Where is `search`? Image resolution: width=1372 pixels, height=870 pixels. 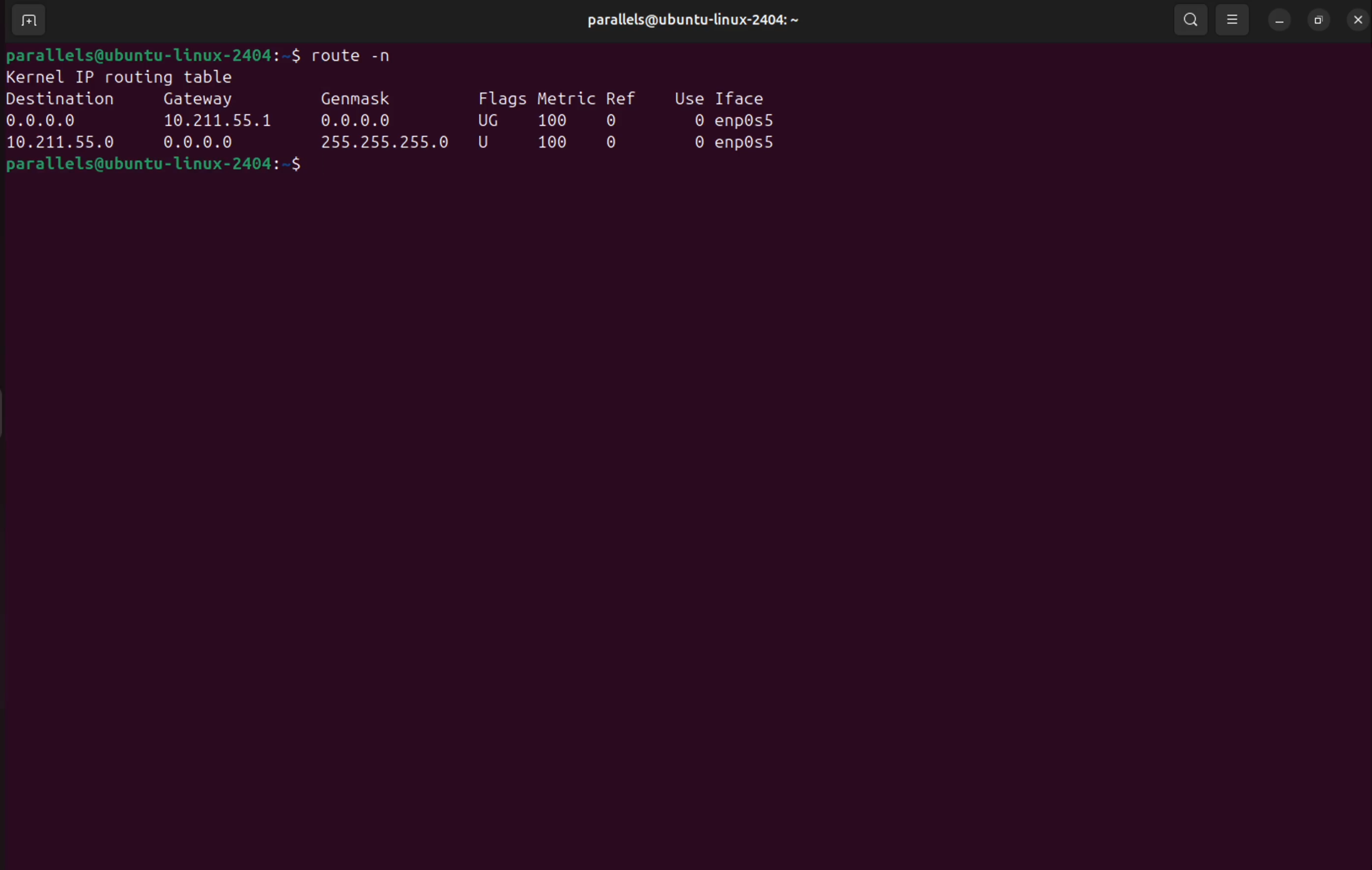
search is located at coordinates (1192, 21).